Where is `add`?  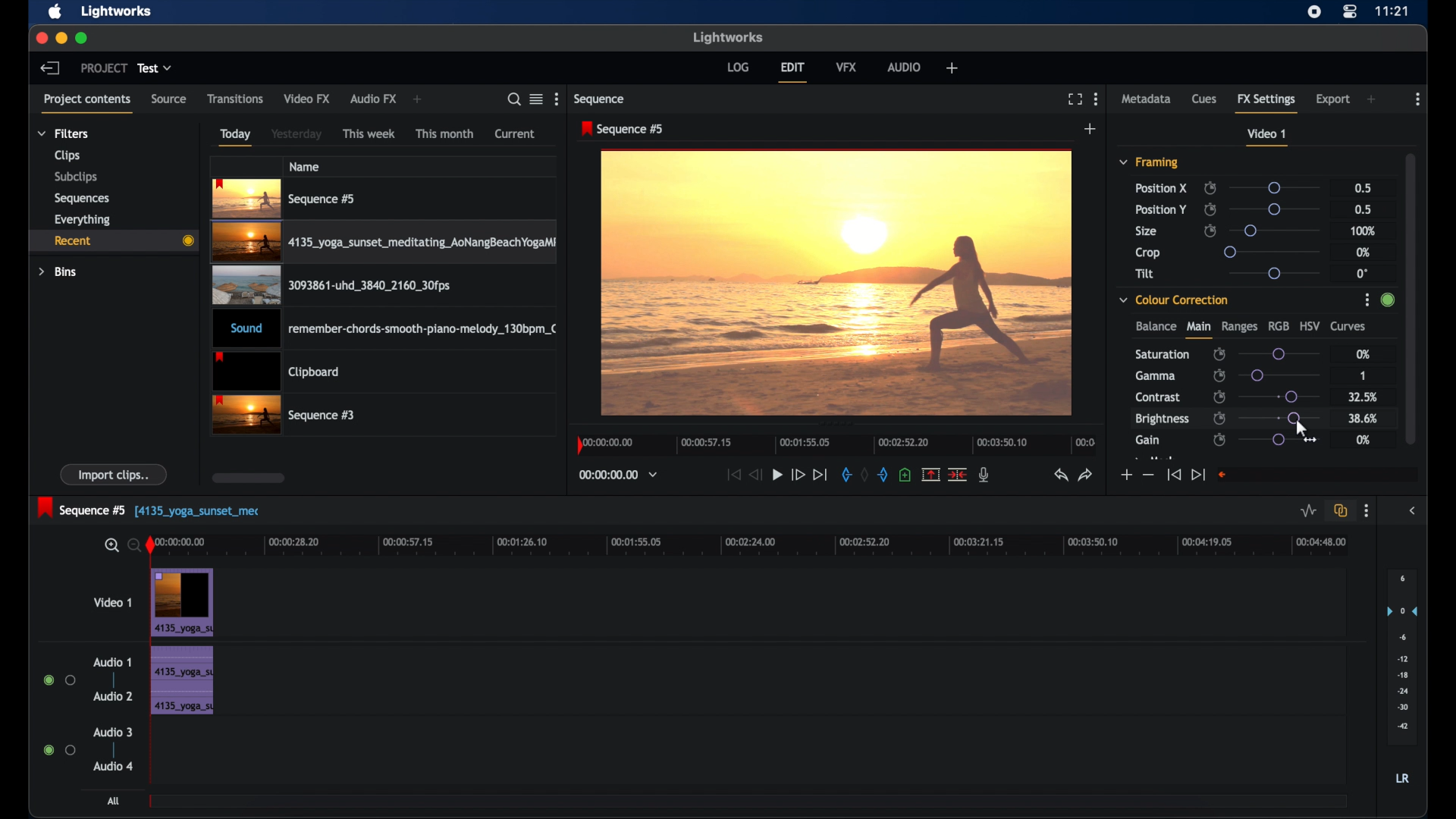 add is located at coordinates (952, 67).